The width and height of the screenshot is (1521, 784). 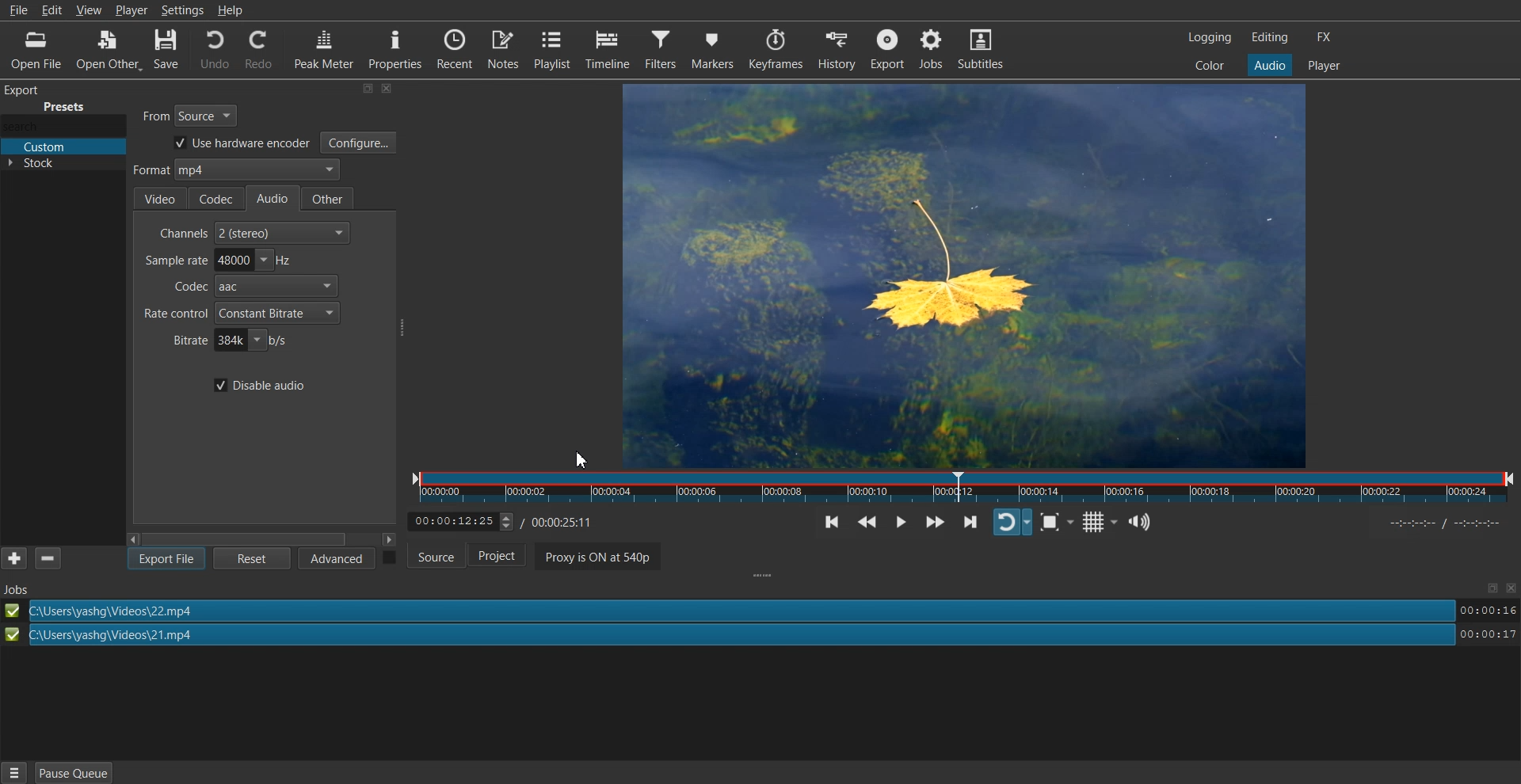 What do you see at coordinates (932, 49) in the screenshot?
I see `Jobs` at bounding box center [932, 49].